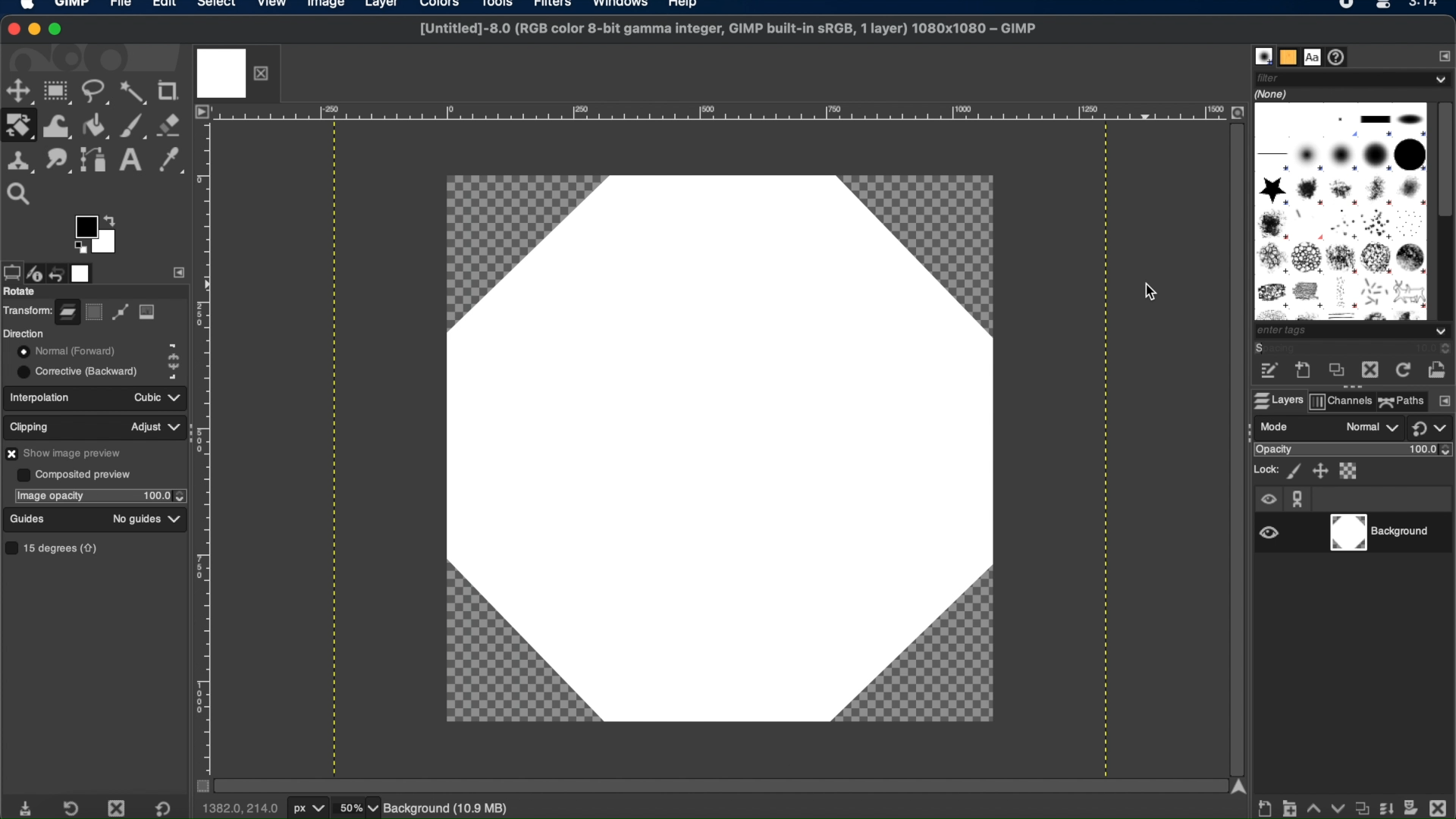  Describe the element at coordinates (96, 125) in the screenshot. I see `bucket fill tool` at that location.